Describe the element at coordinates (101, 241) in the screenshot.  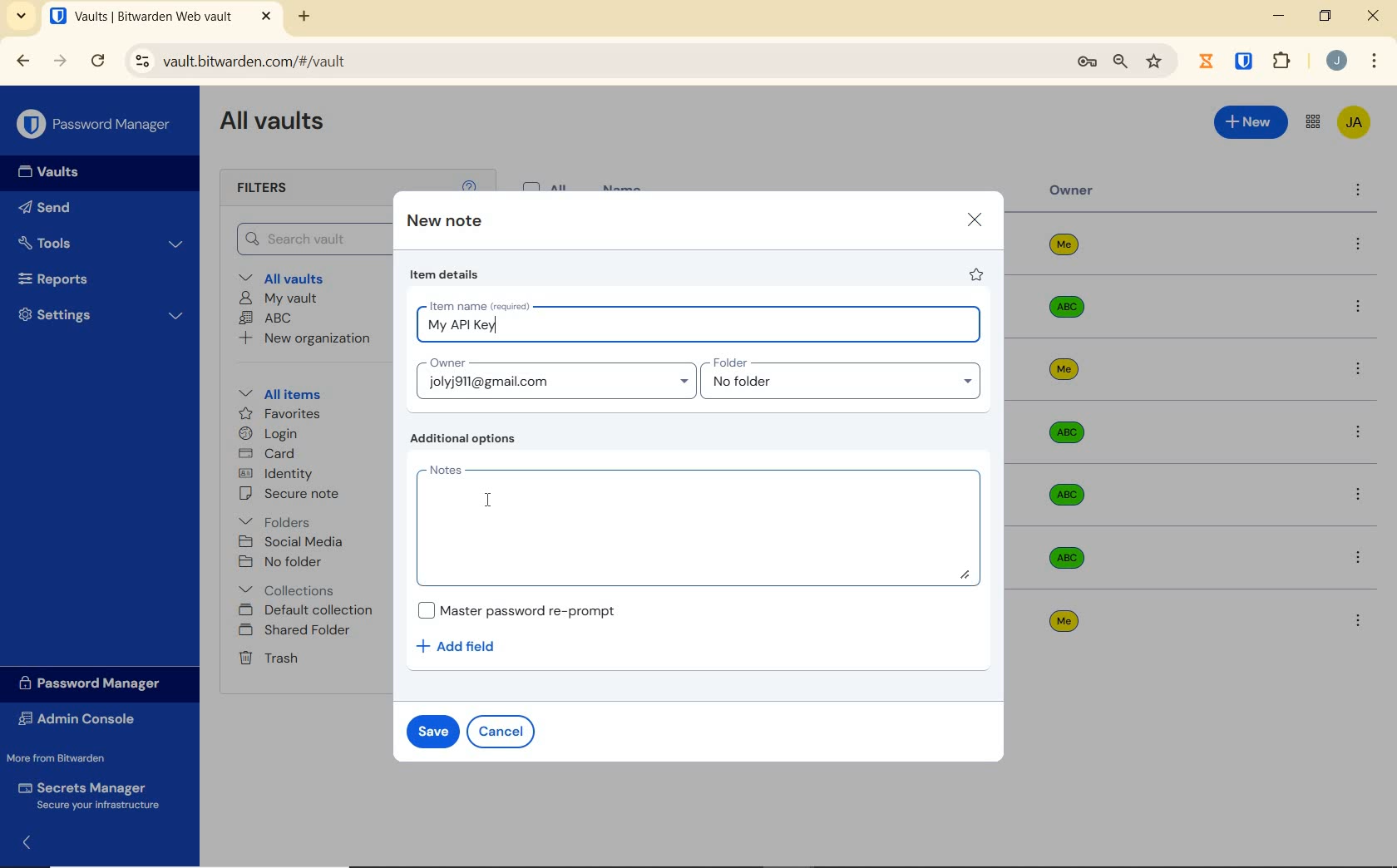
I see `Tools` at that location.